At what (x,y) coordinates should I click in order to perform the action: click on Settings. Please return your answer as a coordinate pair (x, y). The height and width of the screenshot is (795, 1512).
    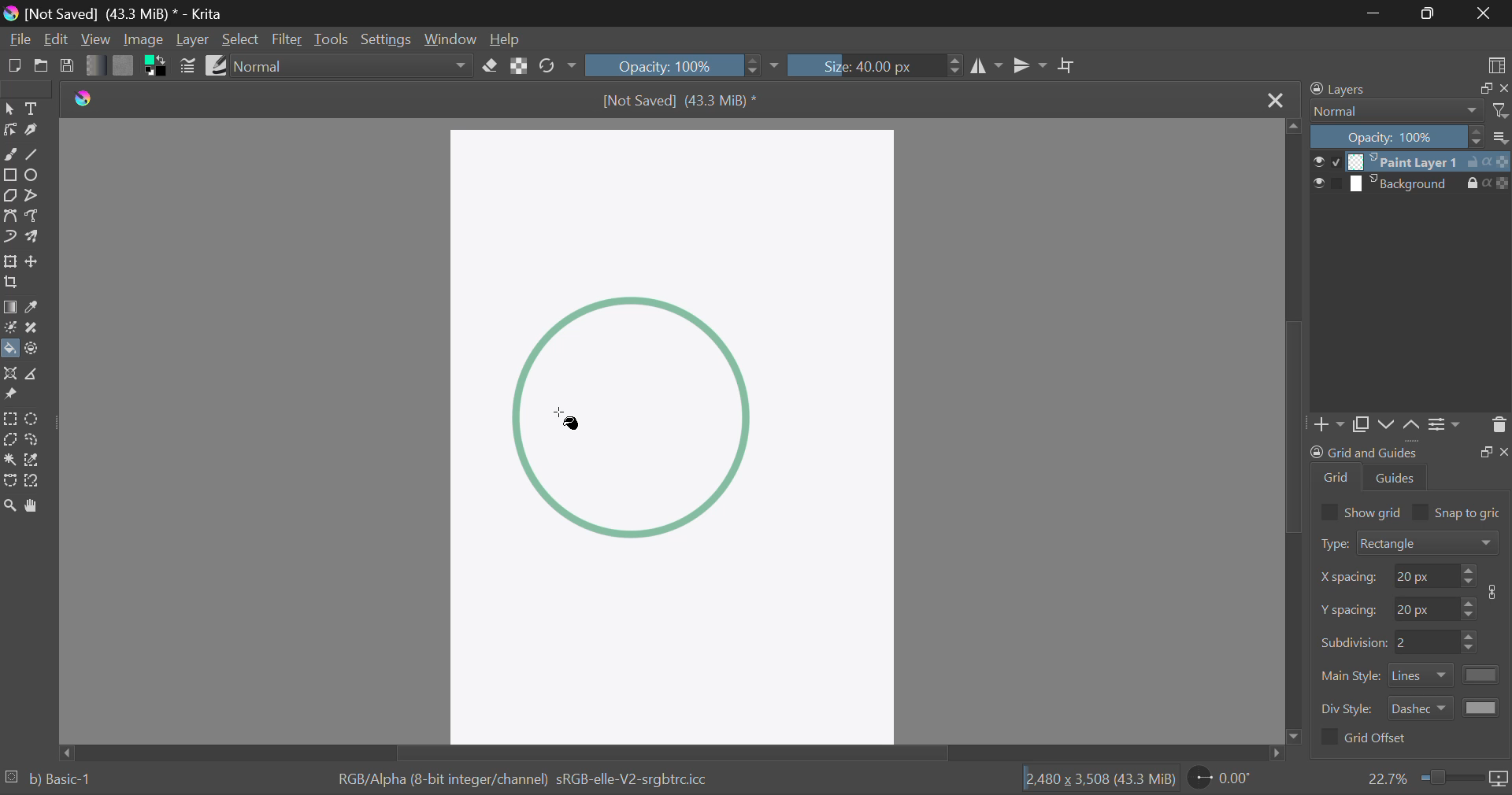
    Looking at the image, I should click on (1447, 429).